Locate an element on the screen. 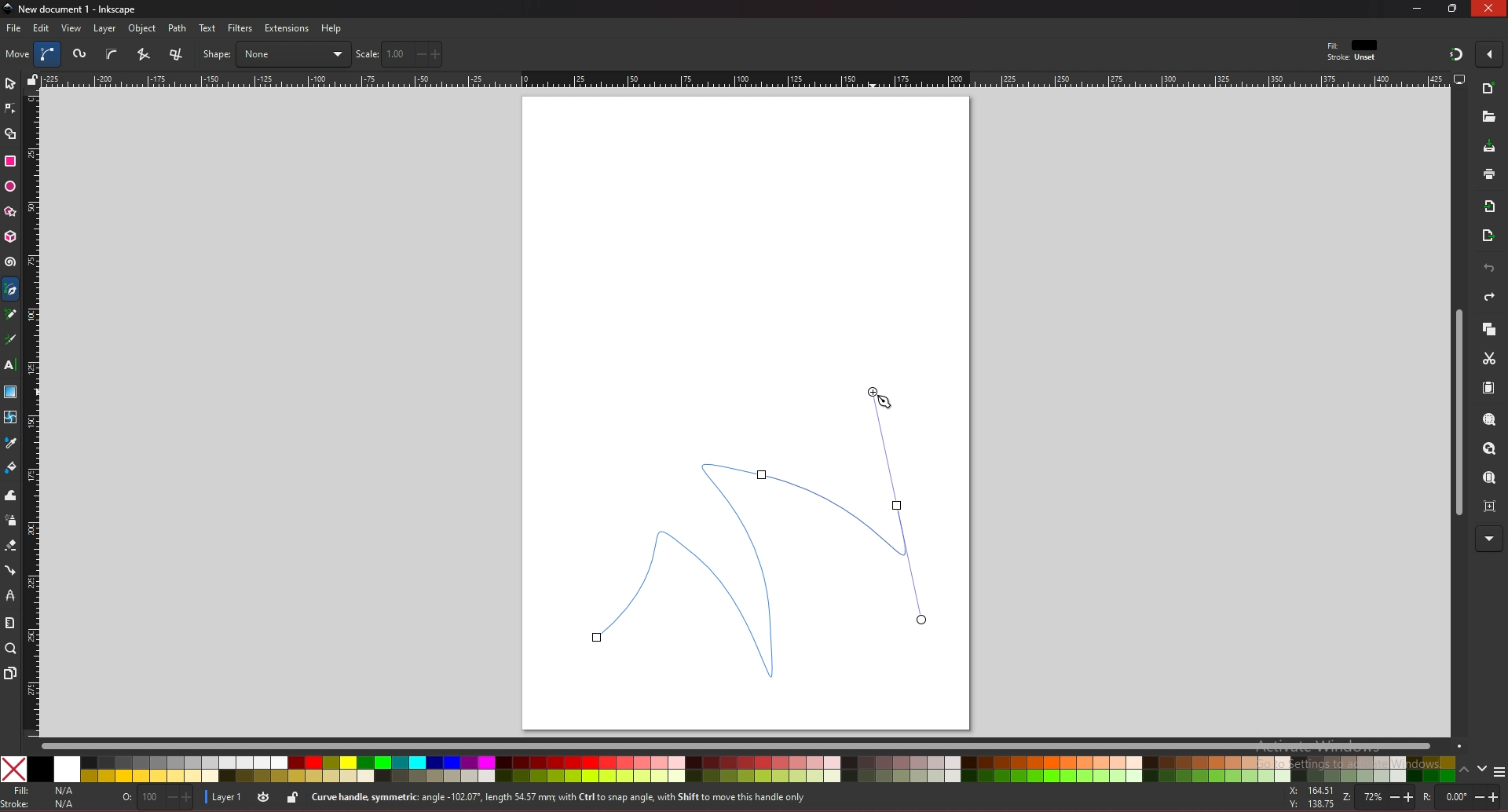 The image size is (1508, 812). eraser is located at coordinates (10, 546).